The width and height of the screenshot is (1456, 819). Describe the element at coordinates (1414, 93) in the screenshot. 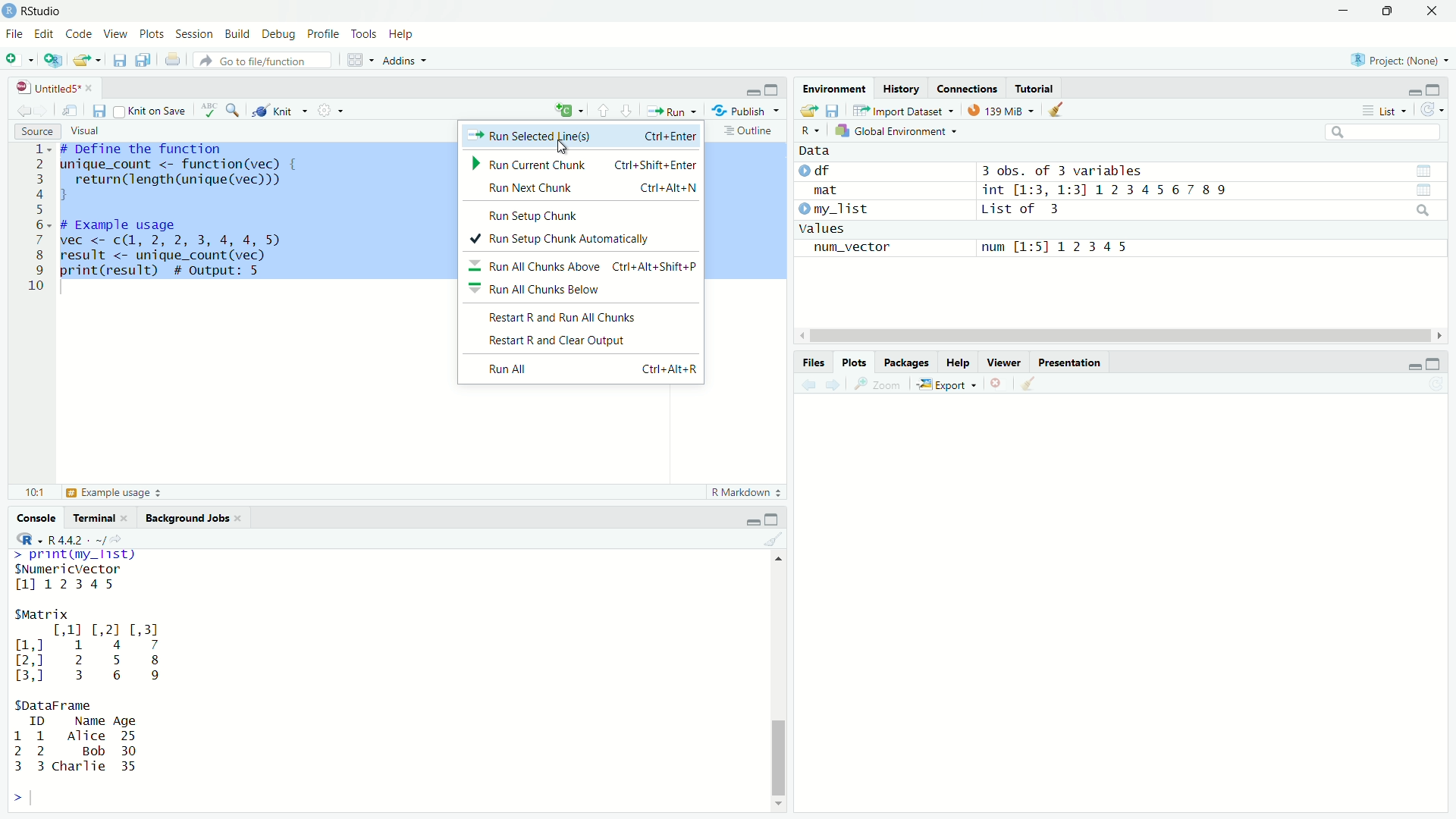

I see `minimize` at that location.